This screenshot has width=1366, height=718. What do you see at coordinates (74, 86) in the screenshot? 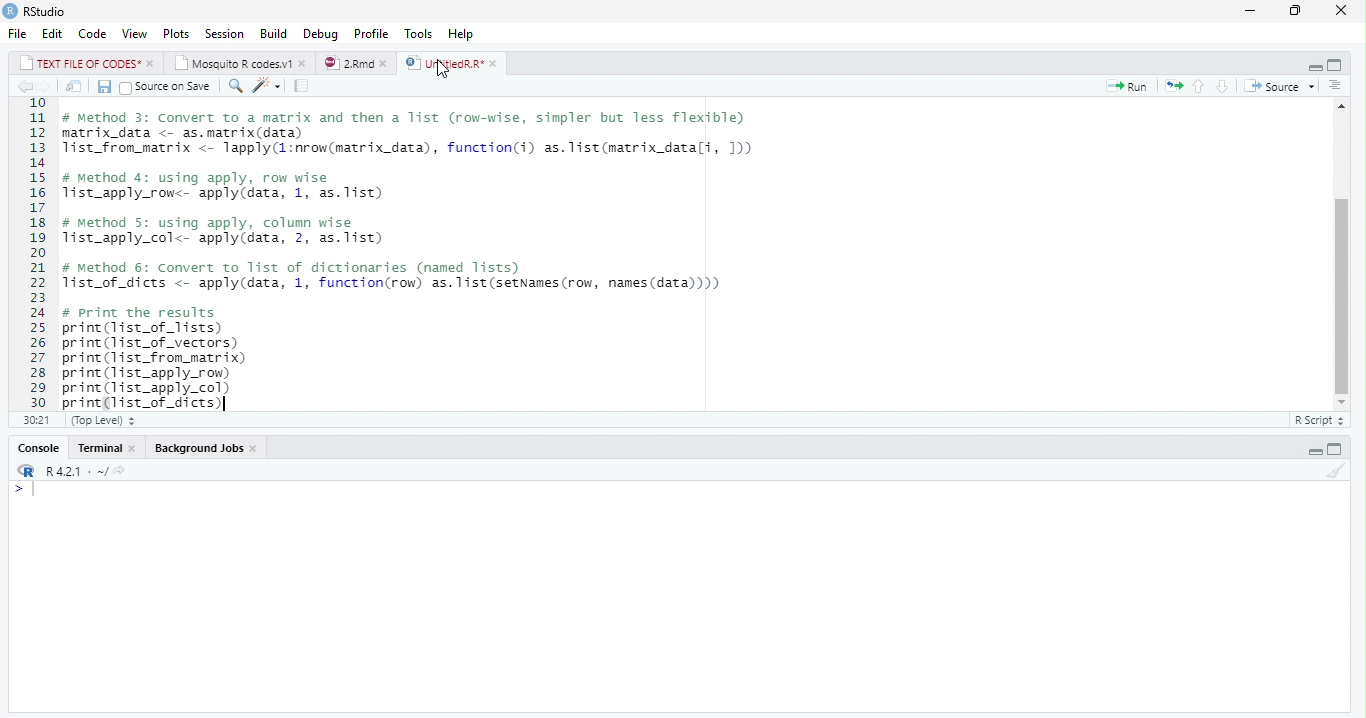
I see `Open in new window` at bounding box center [74, 86].